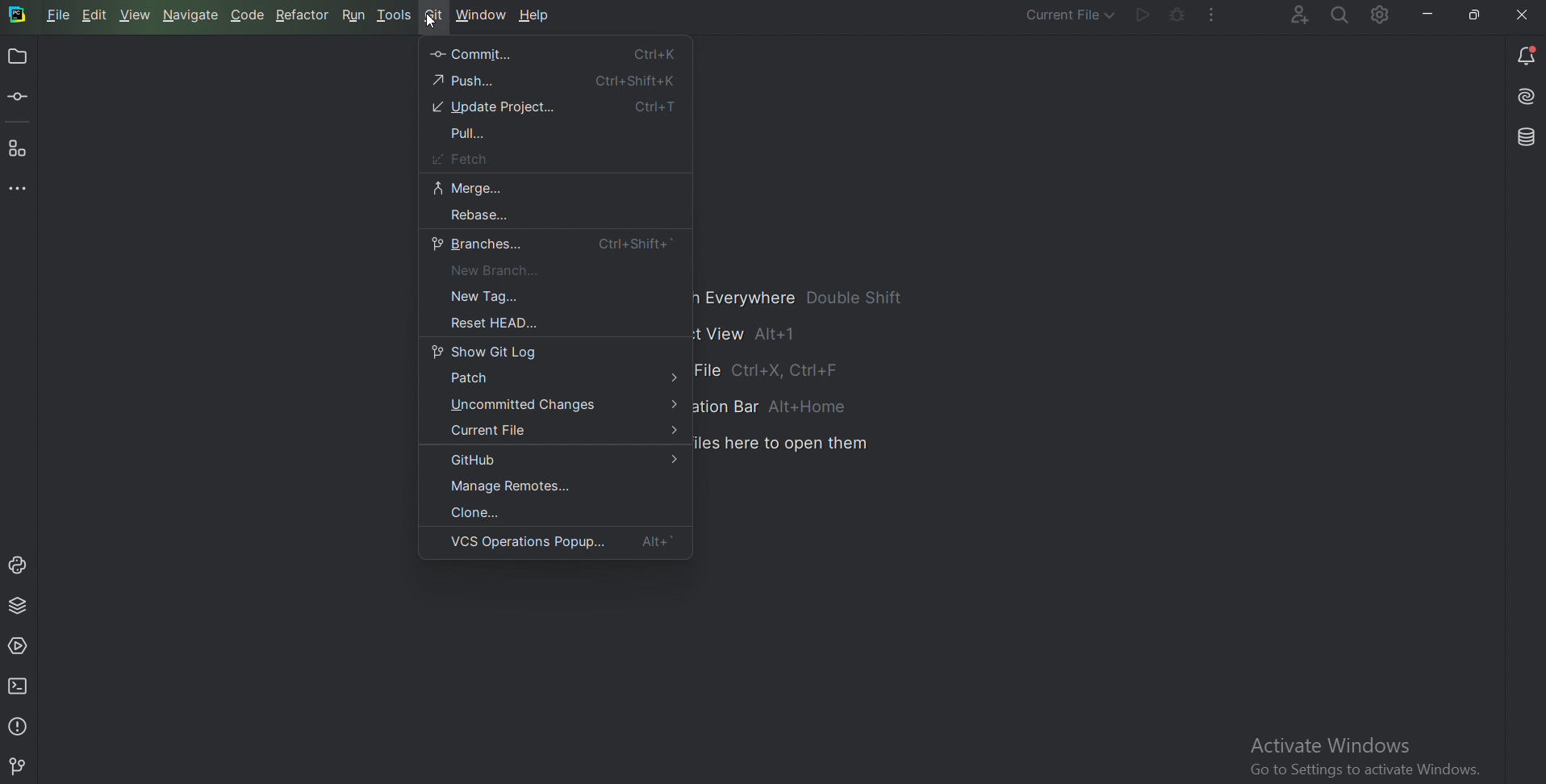 This screenshot has height=784, width=1546. I want to click on Manage Remotes, so click(520, 486).